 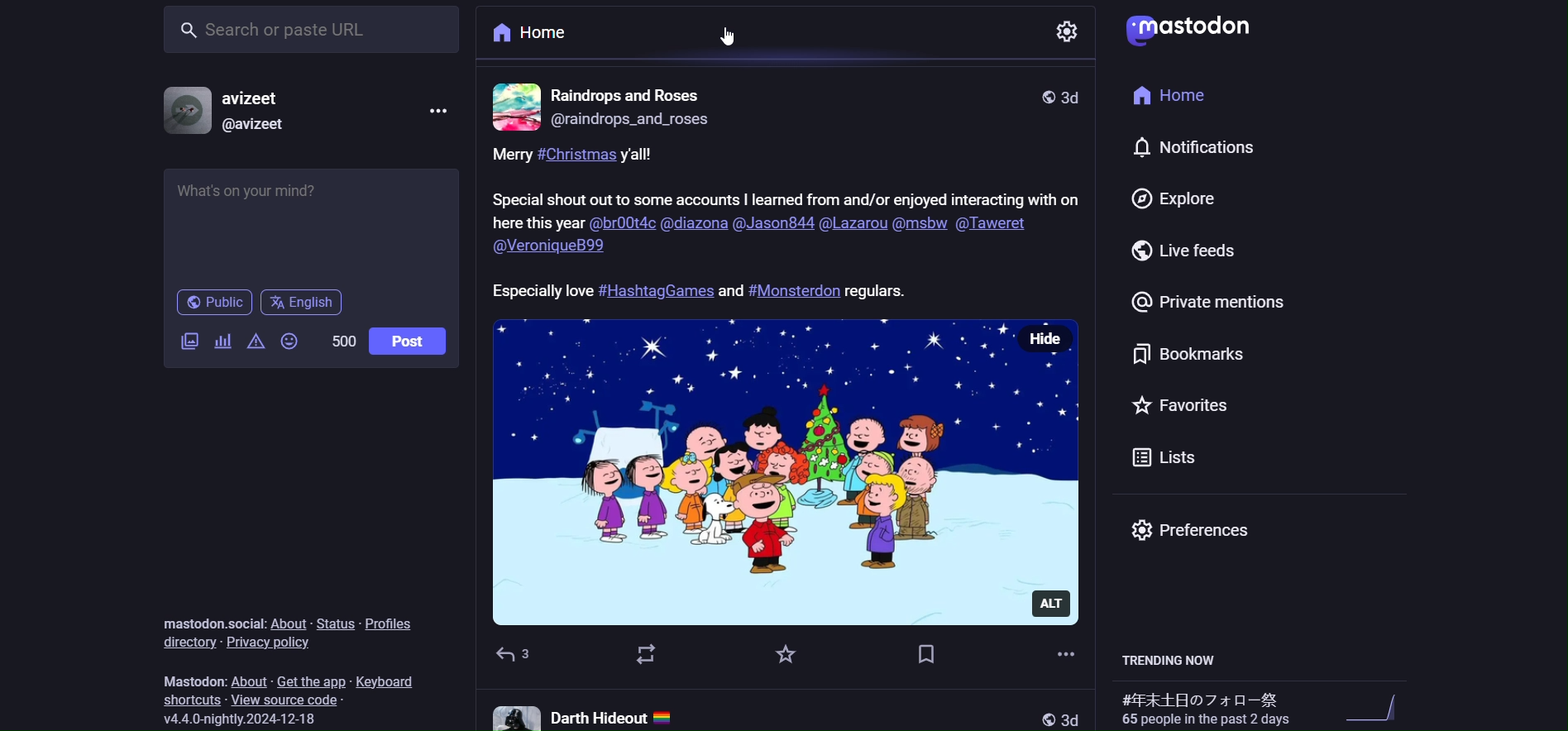 What do you see at coordinates (211, 621) in the screenshot?
I see `mastodon social` at bounding box center [211, 621].